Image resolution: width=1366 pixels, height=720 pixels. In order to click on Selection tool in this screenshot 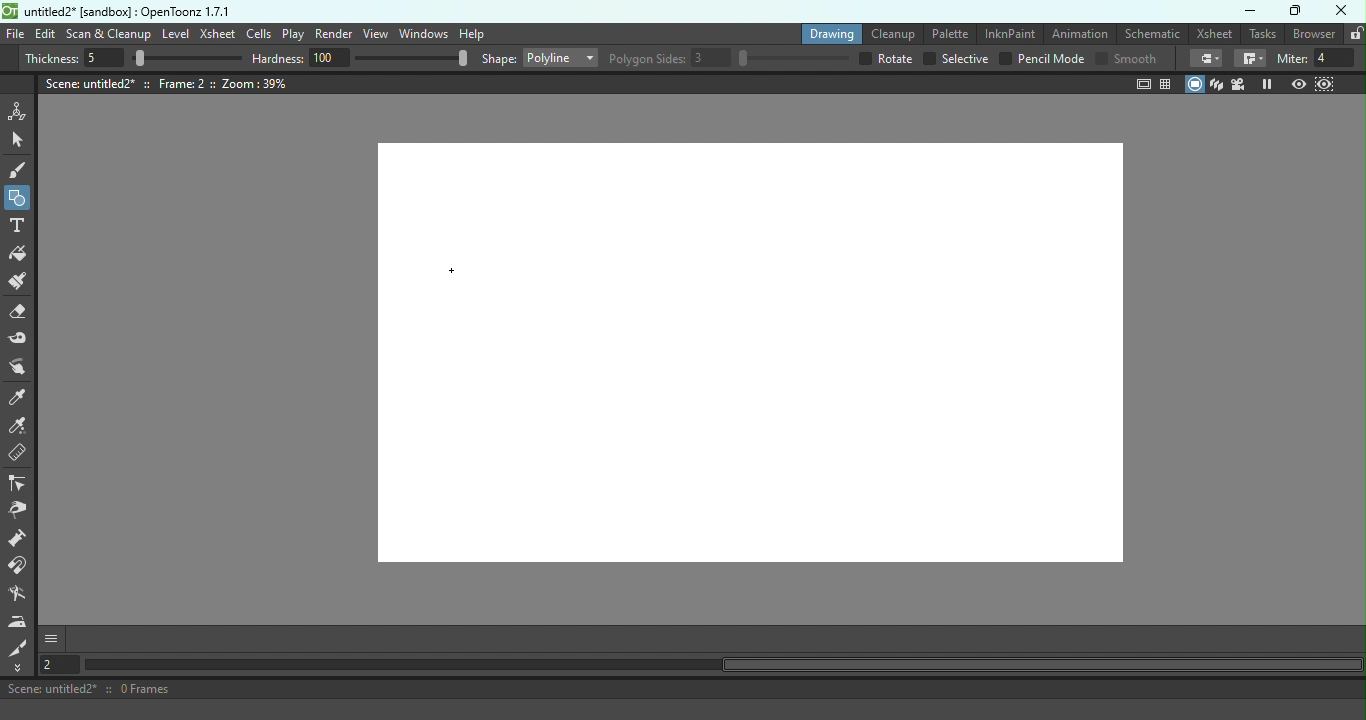, I will do `click(20, 141)`.